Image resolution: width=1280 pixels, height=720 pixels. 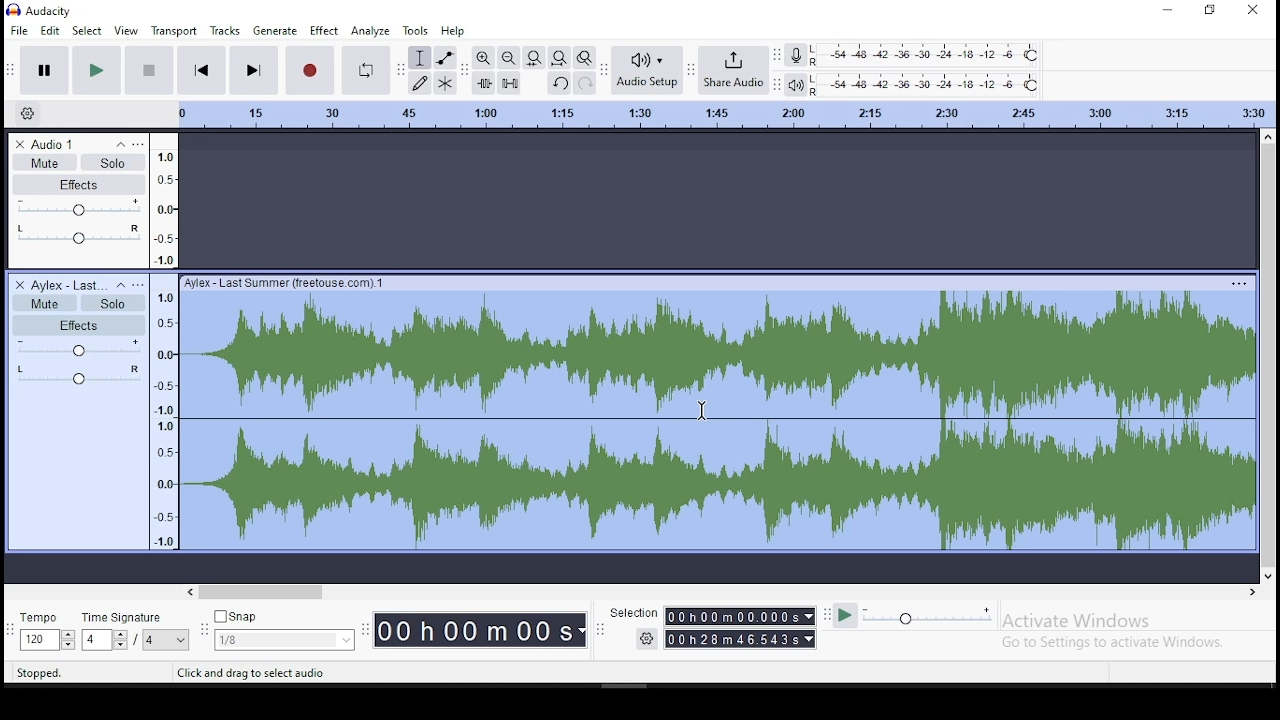 I want to click on help, so click(x=453, y=32).